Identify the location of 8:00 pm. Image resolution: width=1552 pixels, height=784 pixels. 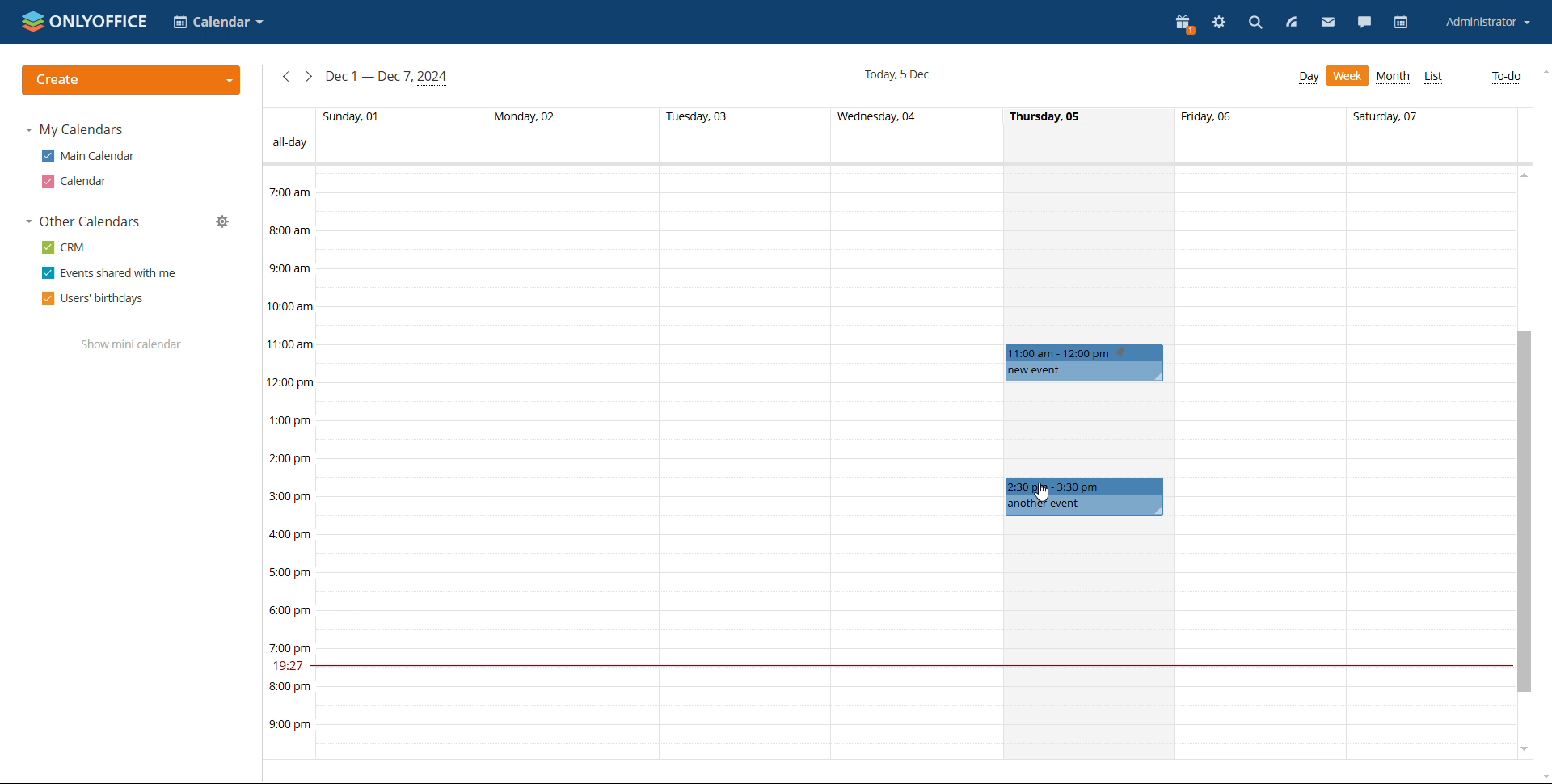
(289, 687).